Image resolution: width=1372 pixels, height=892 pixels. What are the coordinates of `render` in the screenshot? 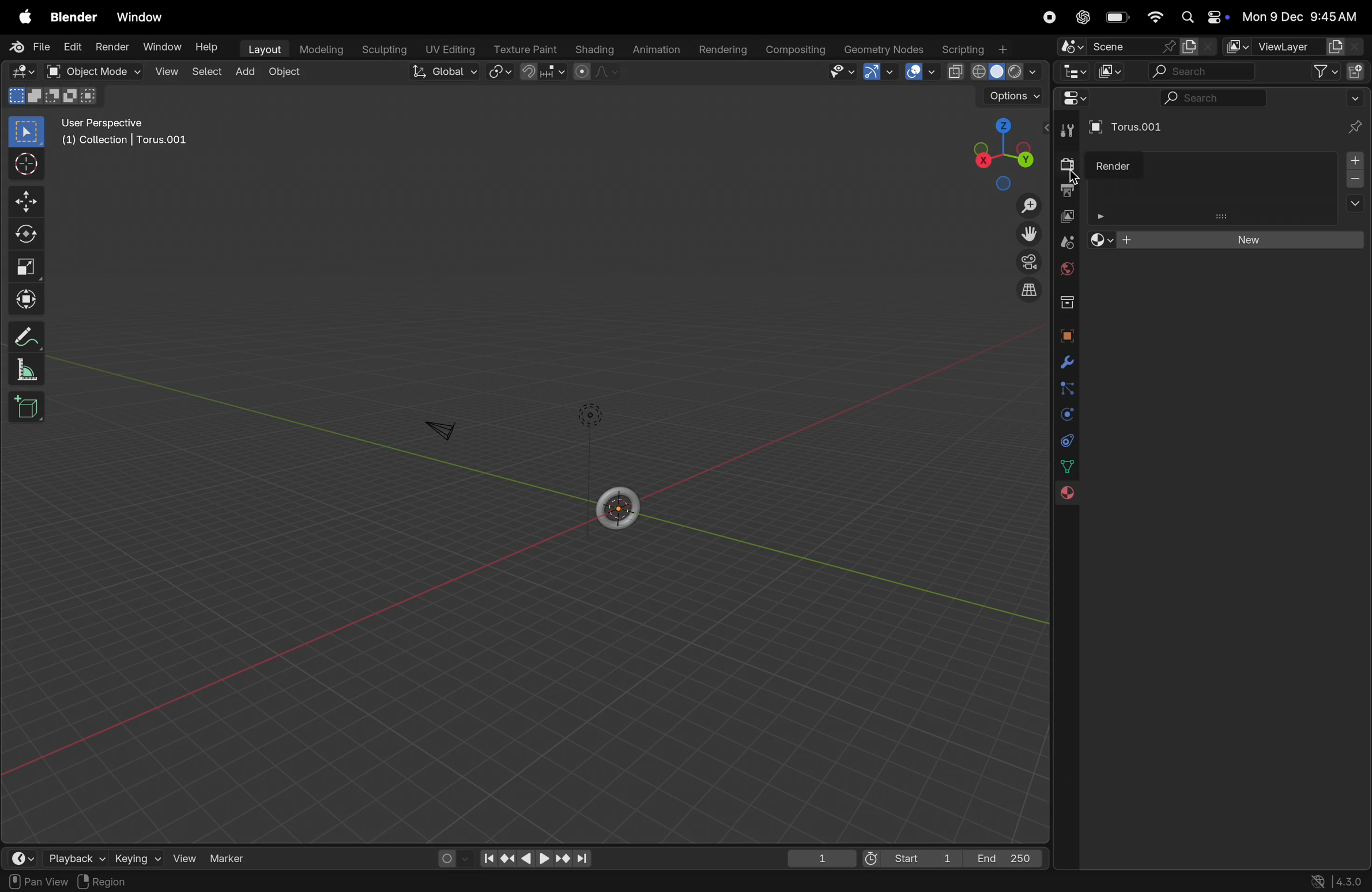 It's located at (1063, 162).